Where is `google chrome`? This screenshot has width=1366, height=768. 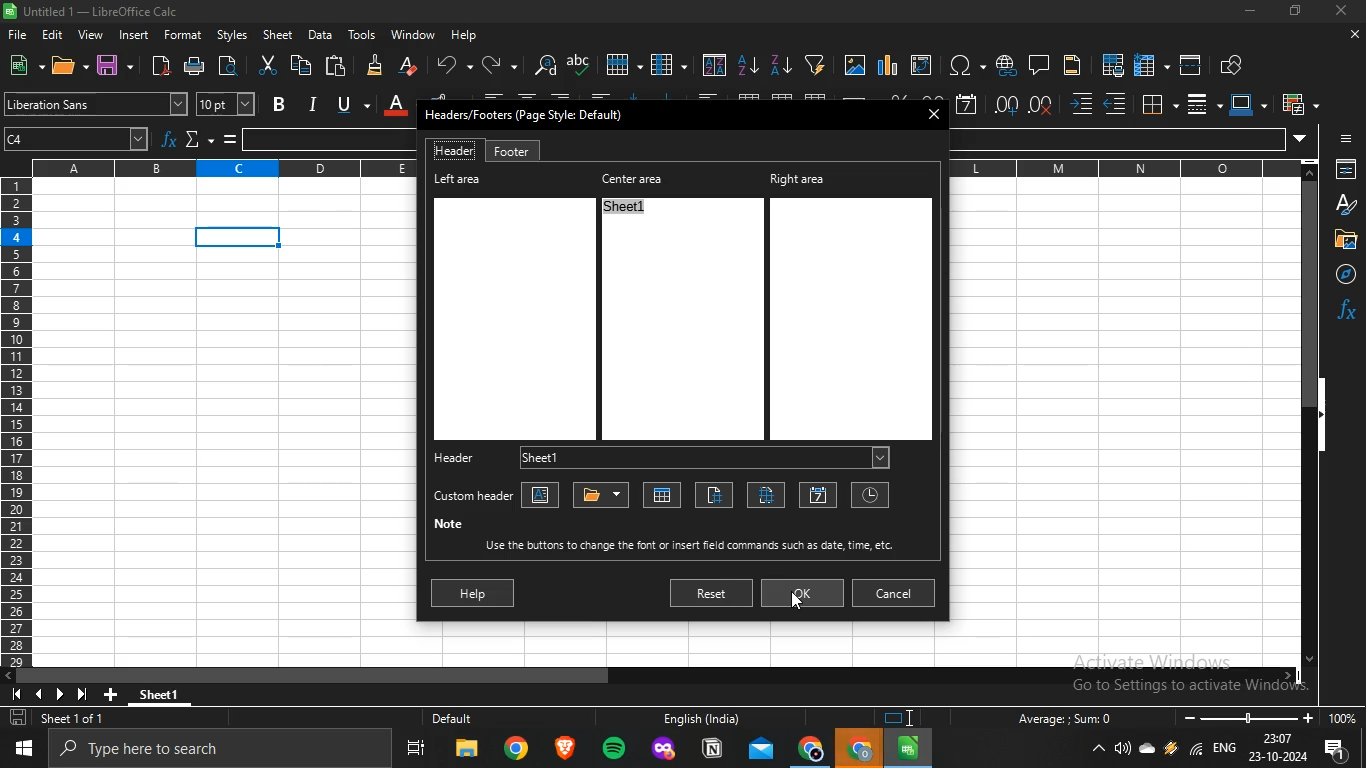 google chrome is located at coordinates (516, 751).